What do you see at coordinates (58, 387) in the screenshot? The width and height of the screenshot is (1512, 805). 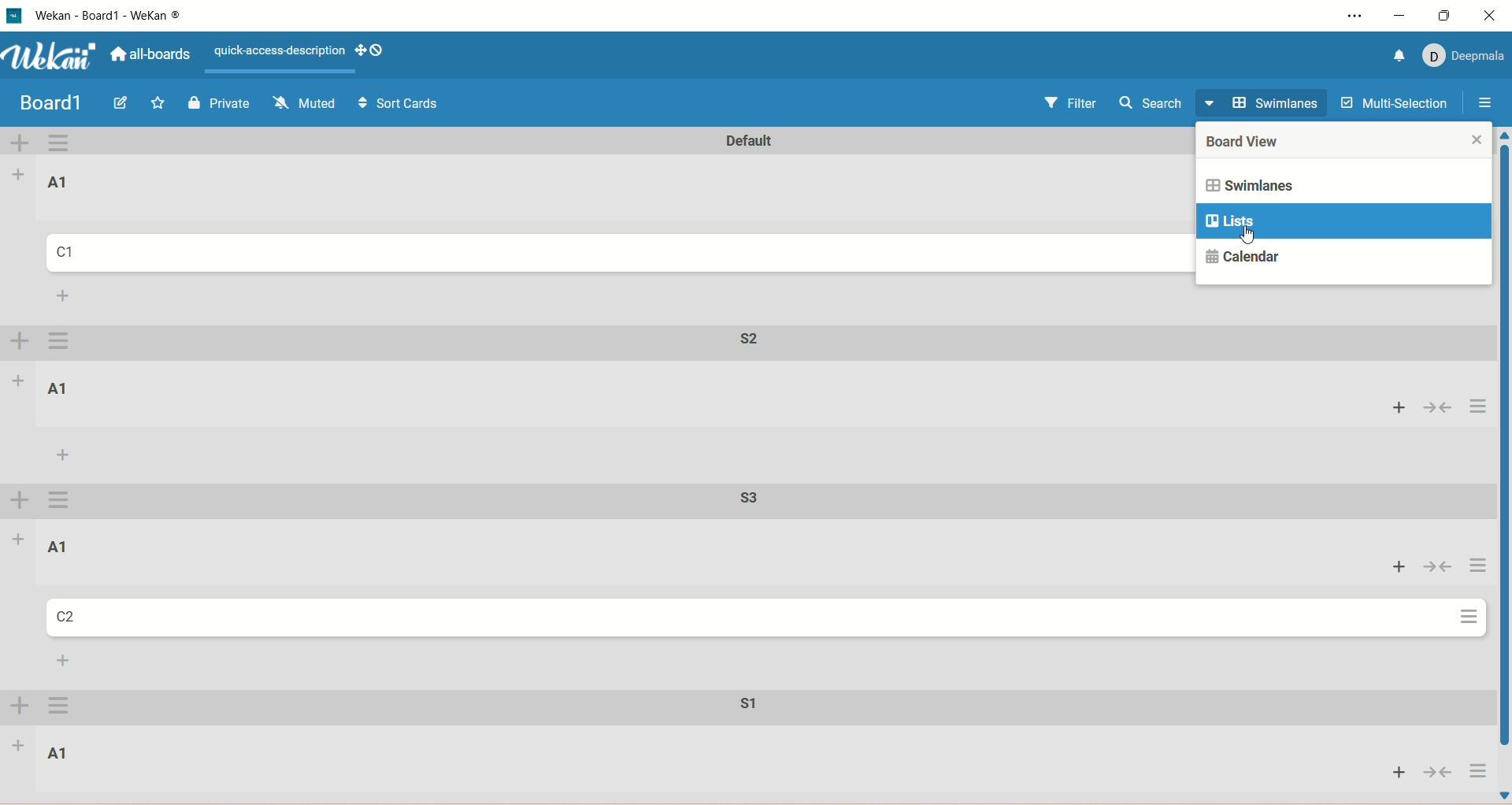 I see `list title` at bounding box center [58, 387].